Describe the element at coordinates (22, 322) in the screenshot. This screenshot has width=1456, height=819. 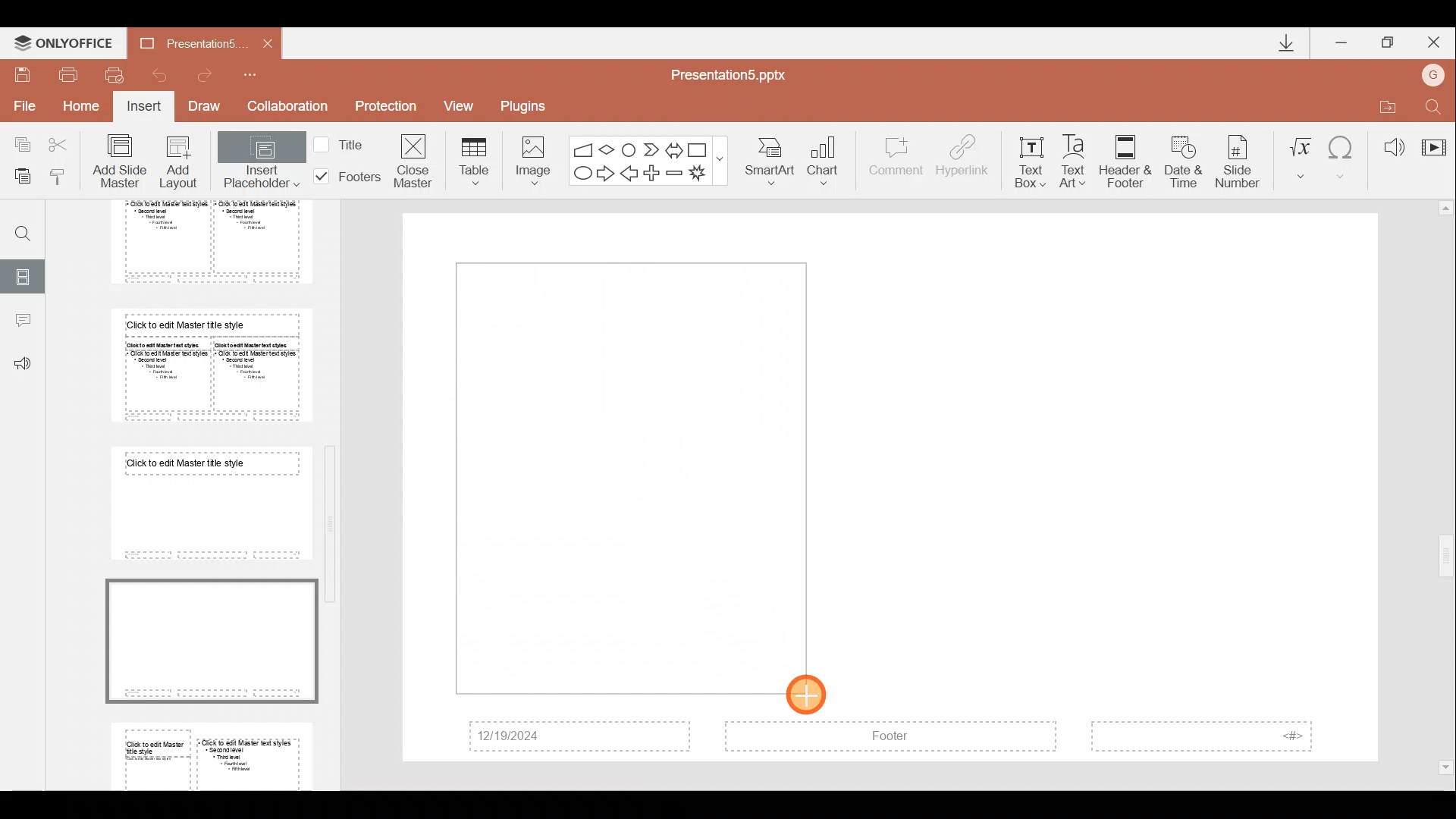
I see `Comments` at that location.